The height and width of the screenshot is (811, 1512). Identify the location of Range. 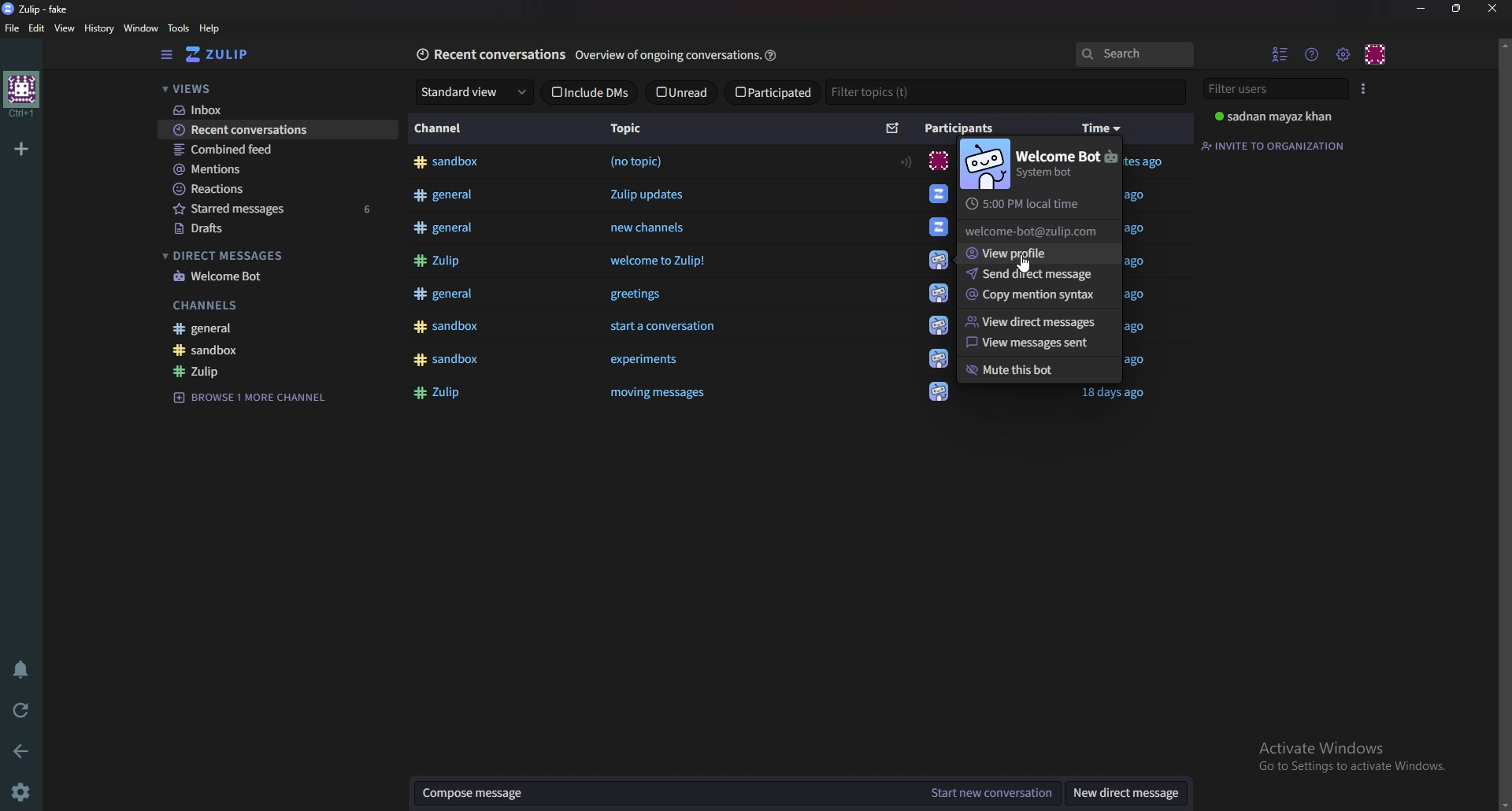
(905, 161).